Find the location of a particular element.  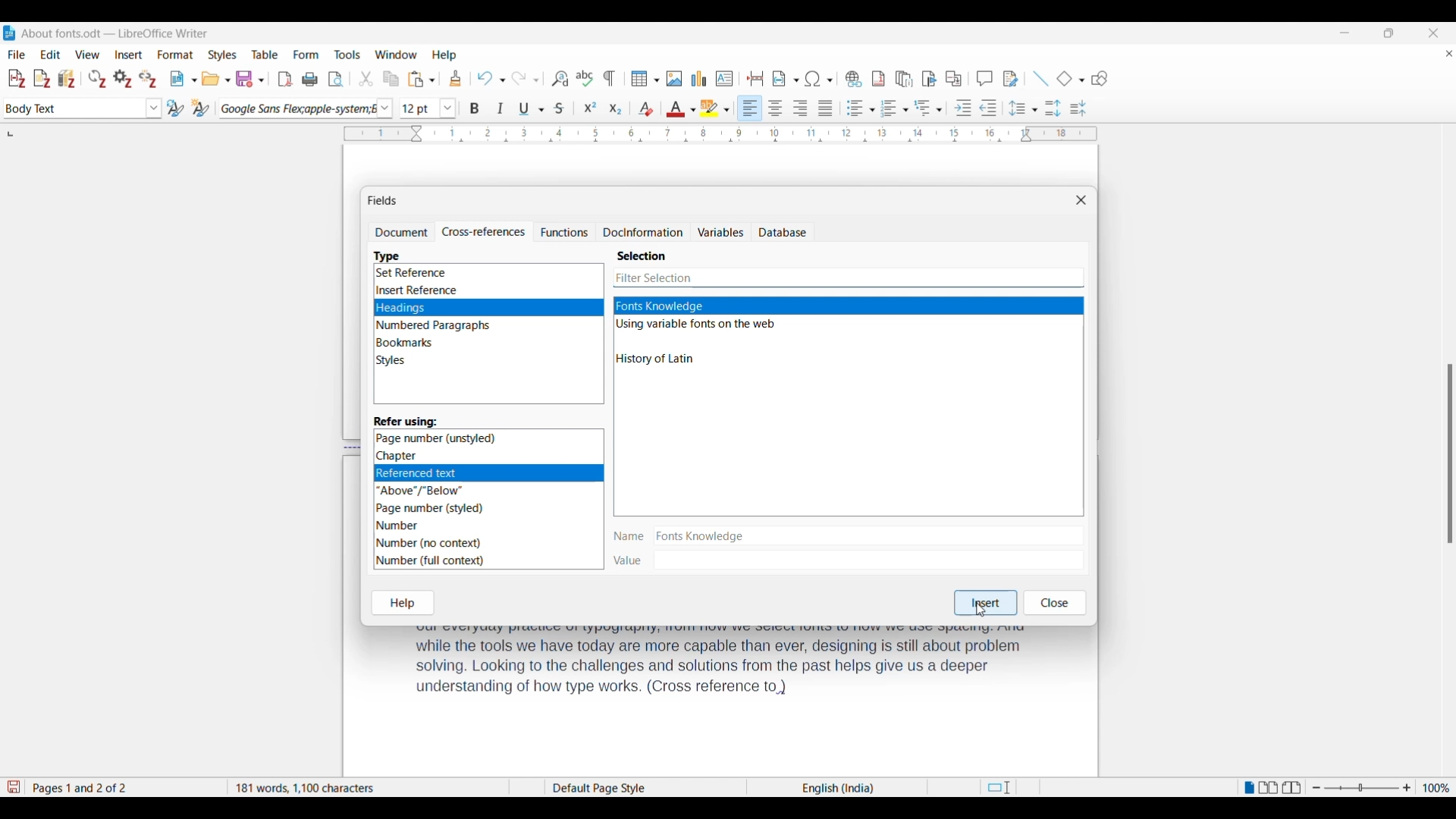

Update selected style is located at coordinates (175, 108).